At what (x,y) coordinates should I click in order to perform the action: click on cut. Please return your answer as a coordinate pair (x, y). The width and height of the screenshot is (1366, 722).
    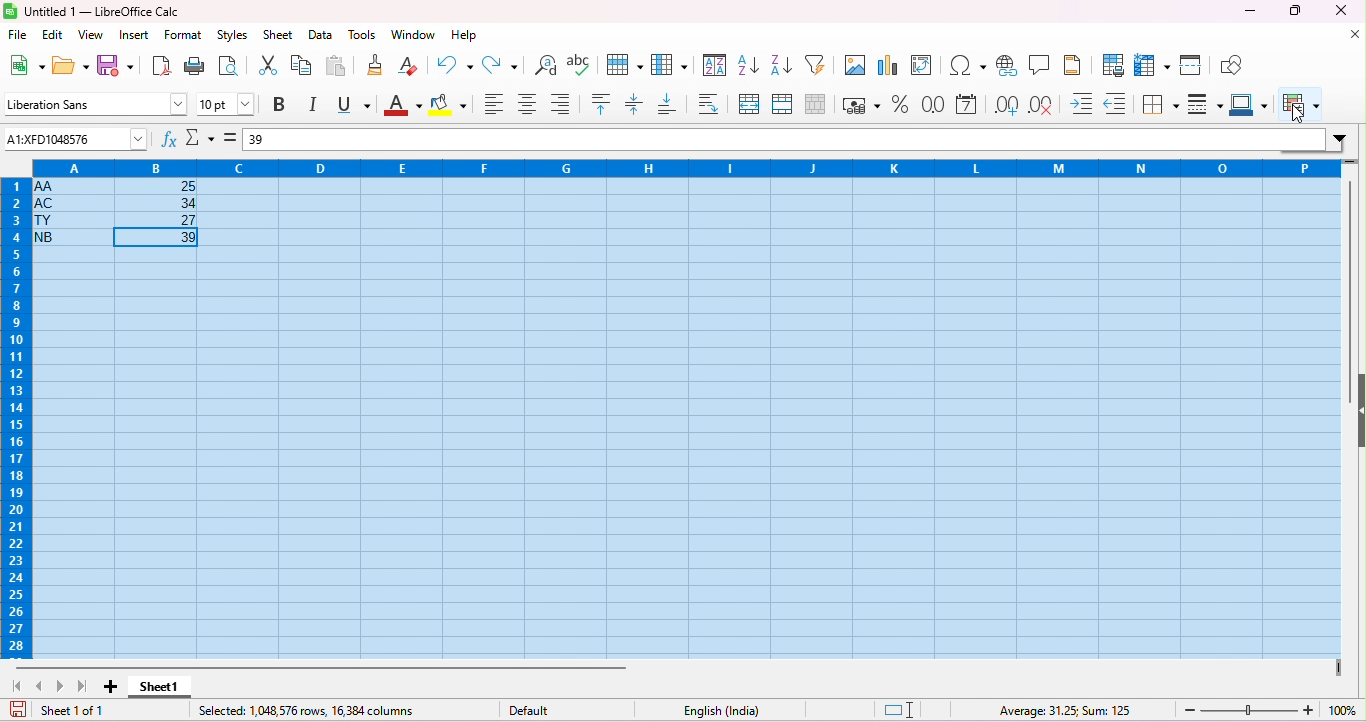
    Looking at the image, I should click on (270, 64).